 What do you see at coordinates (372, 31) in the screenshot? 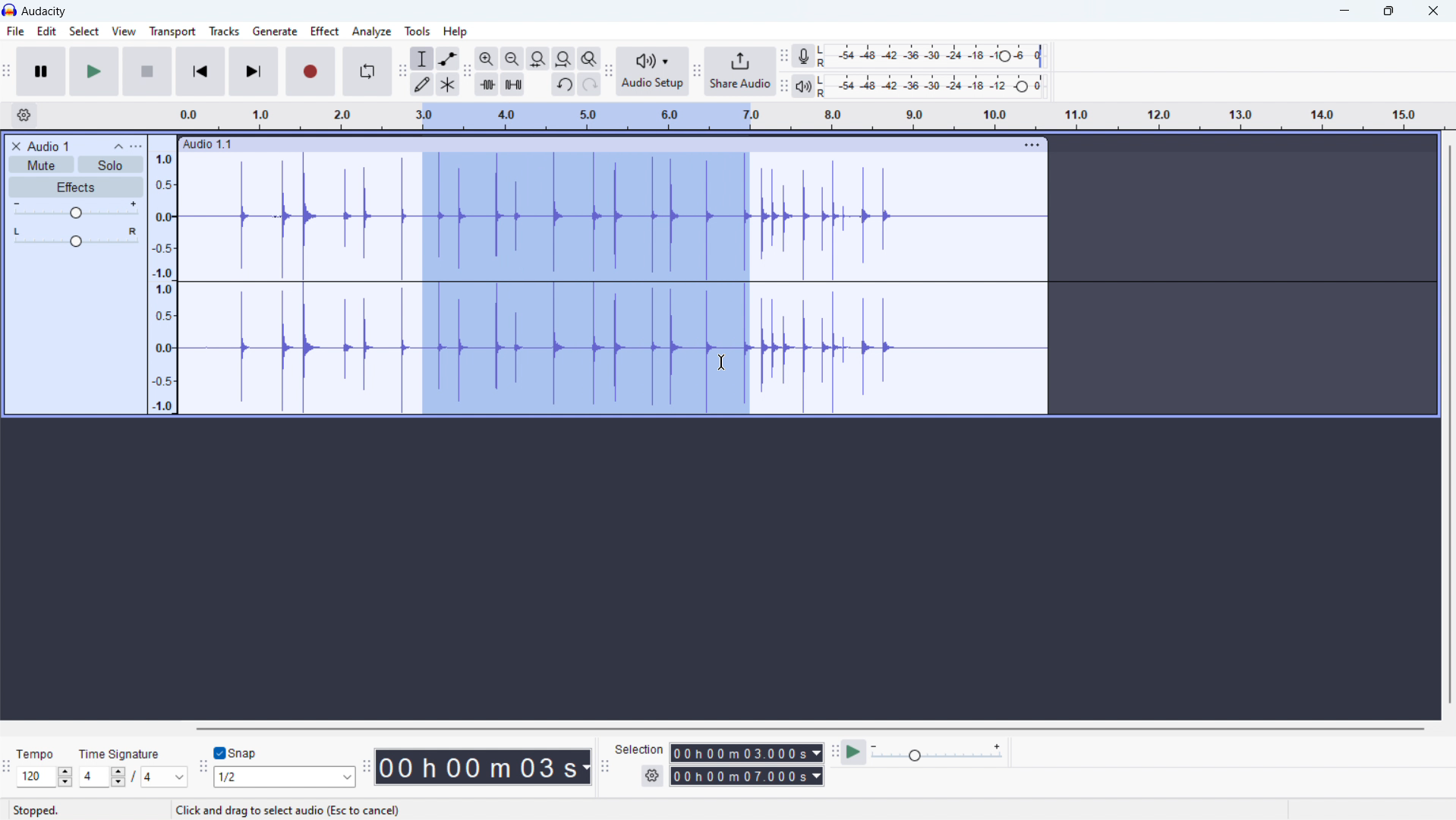
I see `analyze` at bounding box center [372, 31].